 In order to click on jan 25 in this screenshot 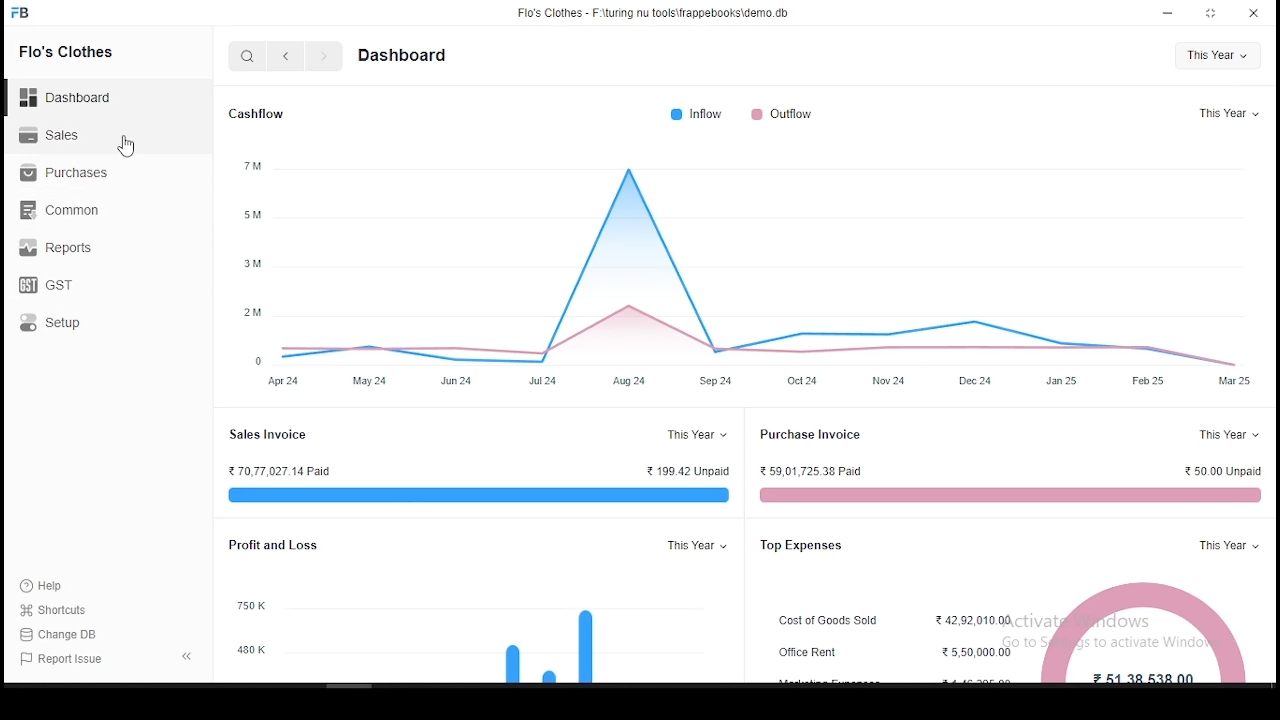, I will do `click(1059, 380)`.